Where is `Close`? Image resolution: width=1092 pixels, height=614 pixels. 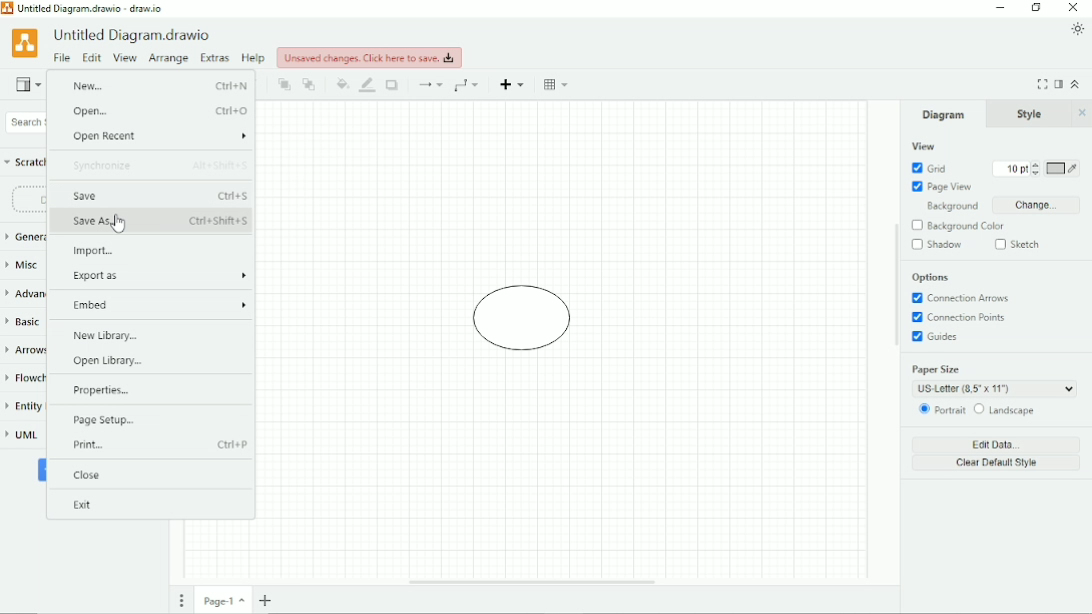
Close is located at coordinates (86, 476).